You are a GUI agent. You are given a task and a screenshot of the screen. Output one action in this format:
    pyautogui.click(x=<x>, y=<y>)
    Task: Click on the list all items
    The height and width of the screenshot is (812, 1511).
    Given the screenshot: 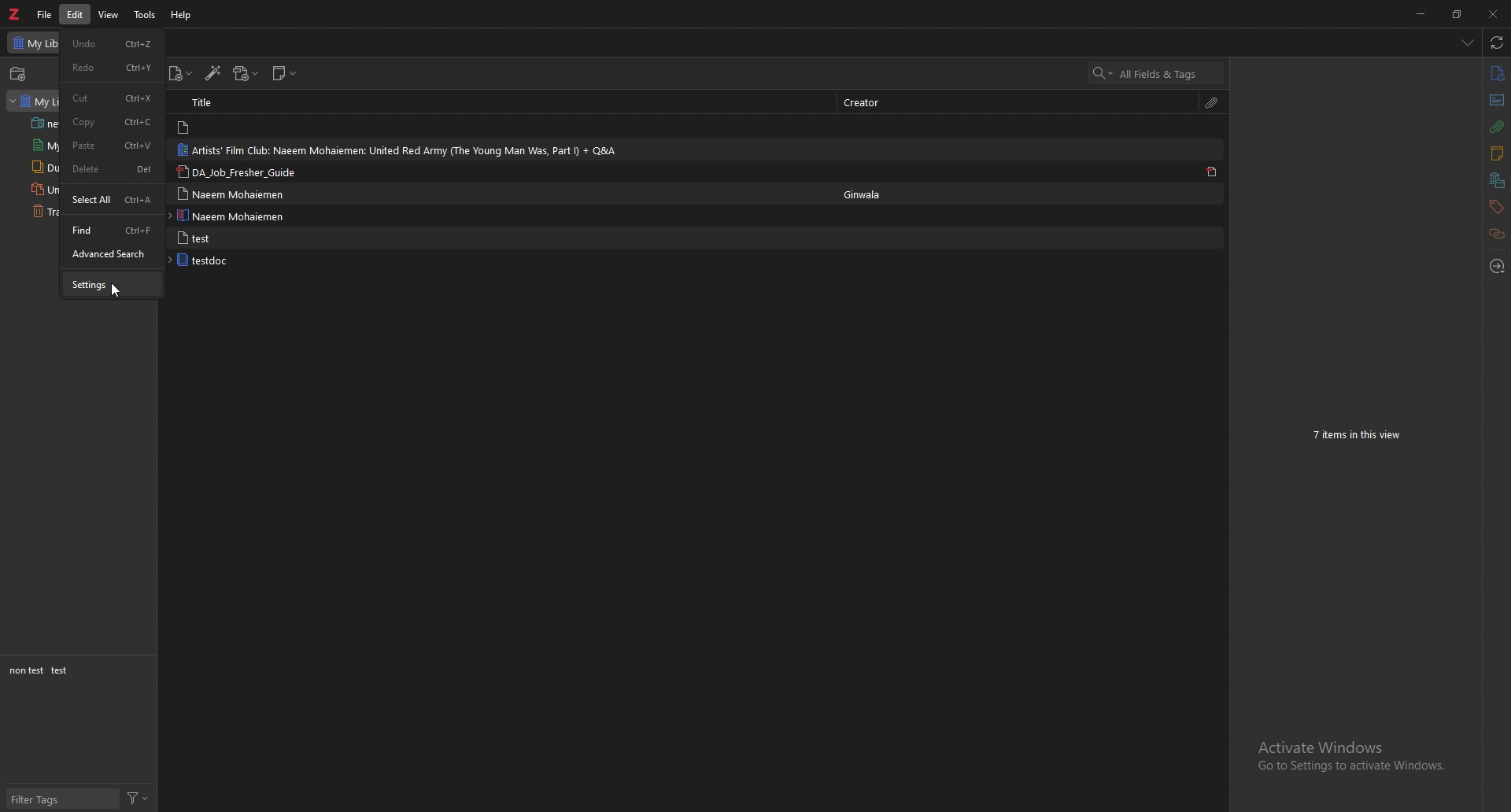 What is the action you would take?
    pyautogui.click(x=1467, y=42)
    